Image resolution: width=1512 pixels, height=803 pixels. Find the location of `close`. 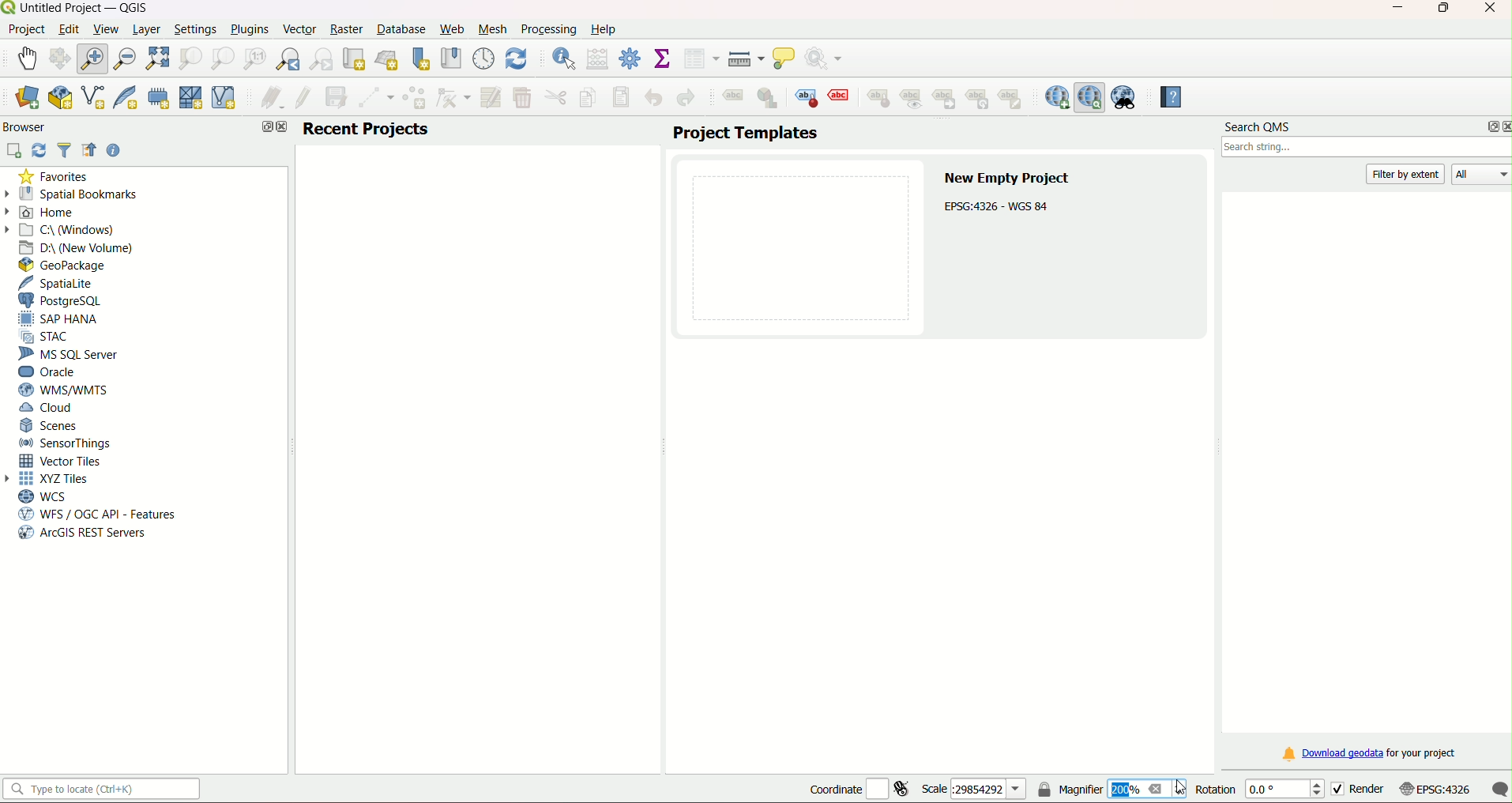

close is located at coordinates (1503, 126).